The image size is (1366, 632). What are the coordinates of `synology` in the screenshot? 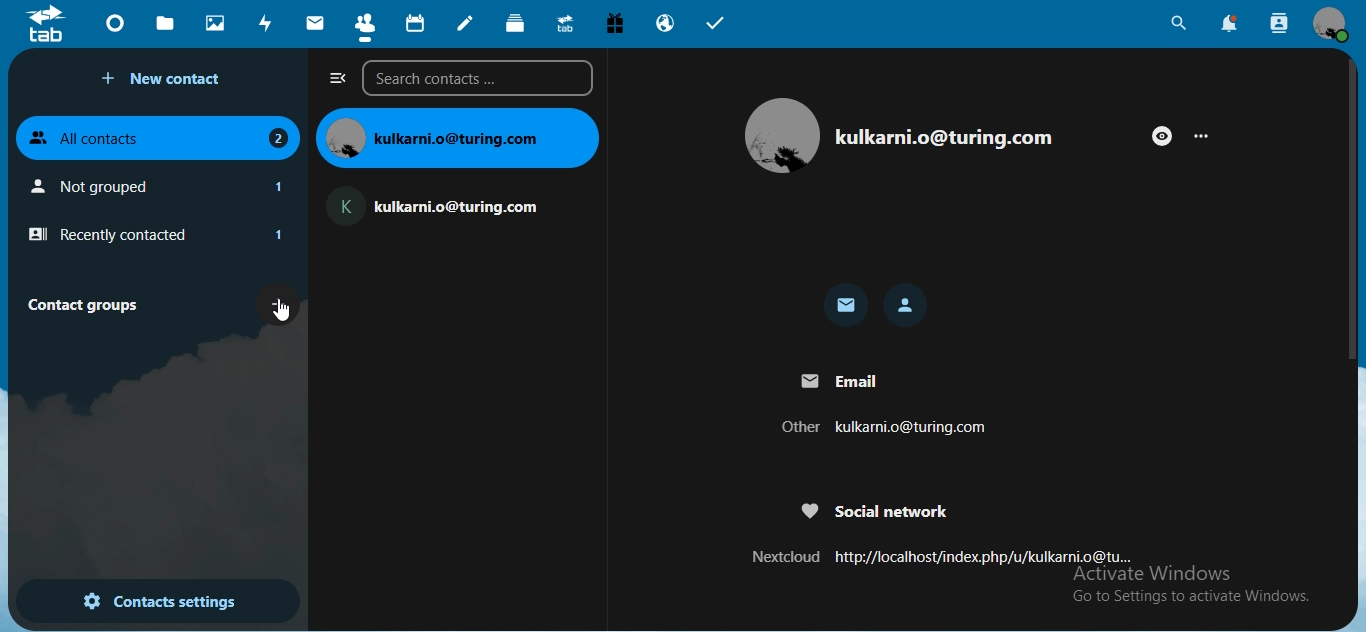 It's located at (565, 22).